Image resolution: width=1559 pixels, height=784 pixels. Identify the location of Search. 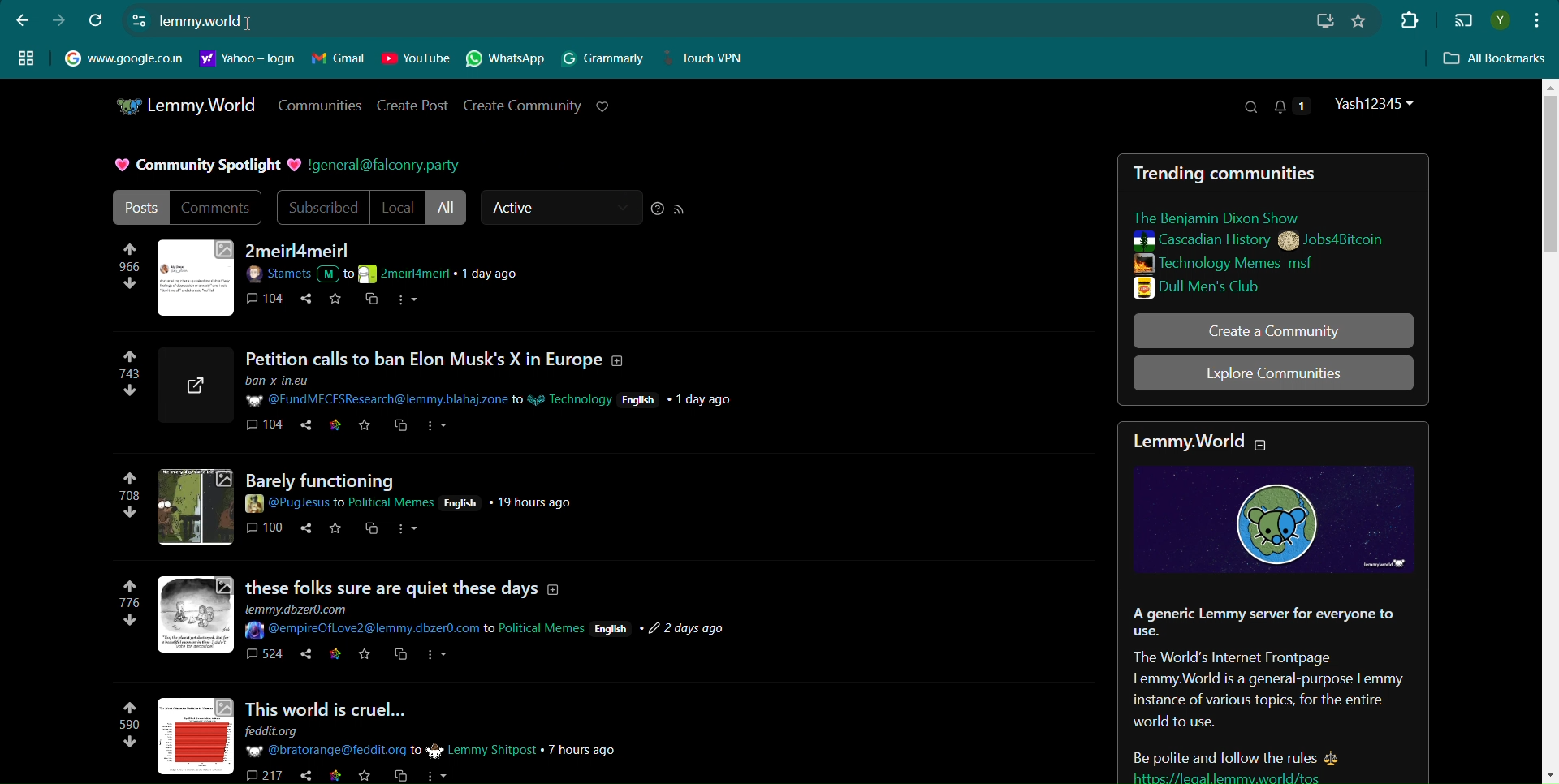
(1250, 107).